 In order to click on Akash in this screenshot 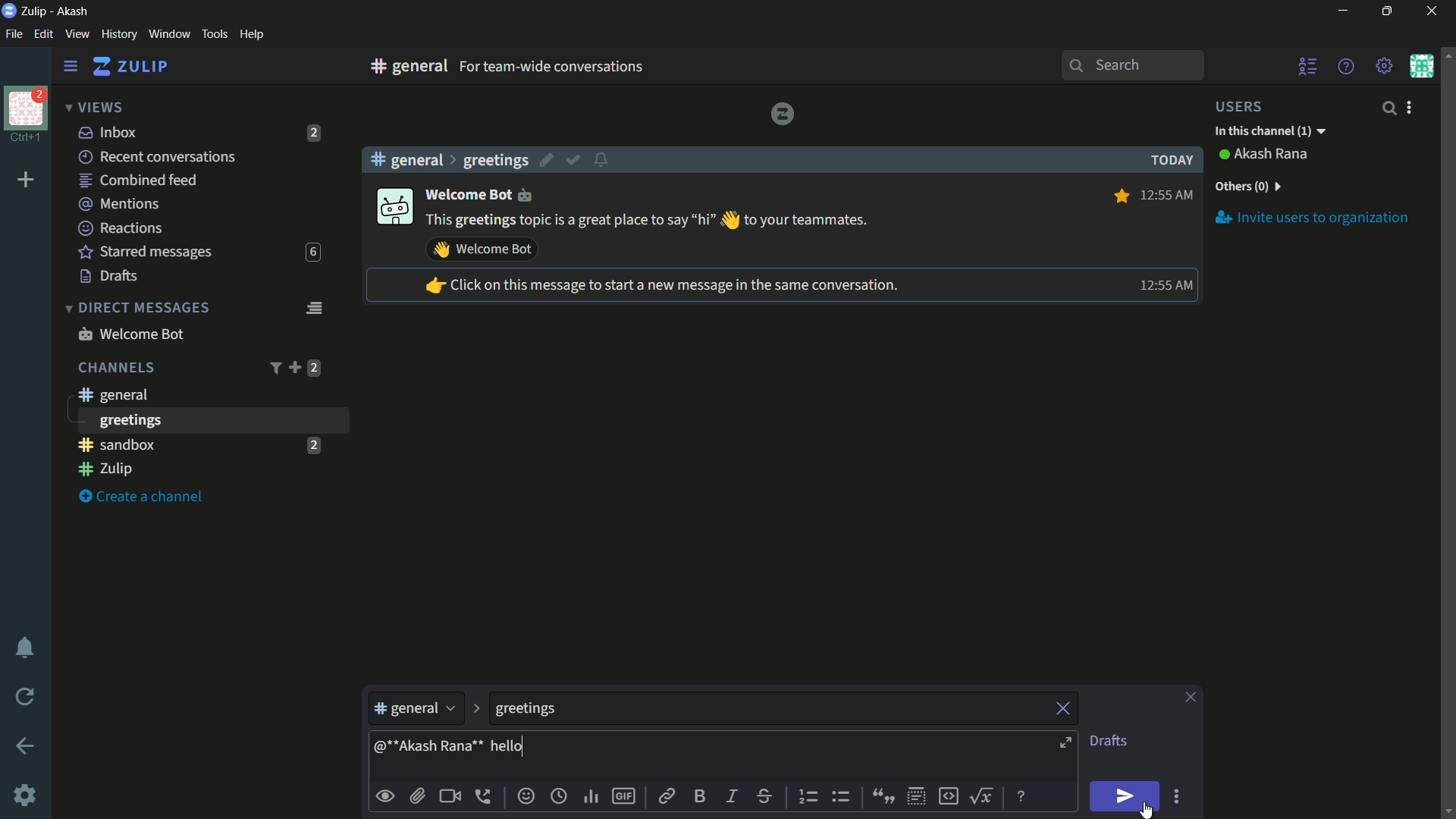, I will do `click(74, 12)`.